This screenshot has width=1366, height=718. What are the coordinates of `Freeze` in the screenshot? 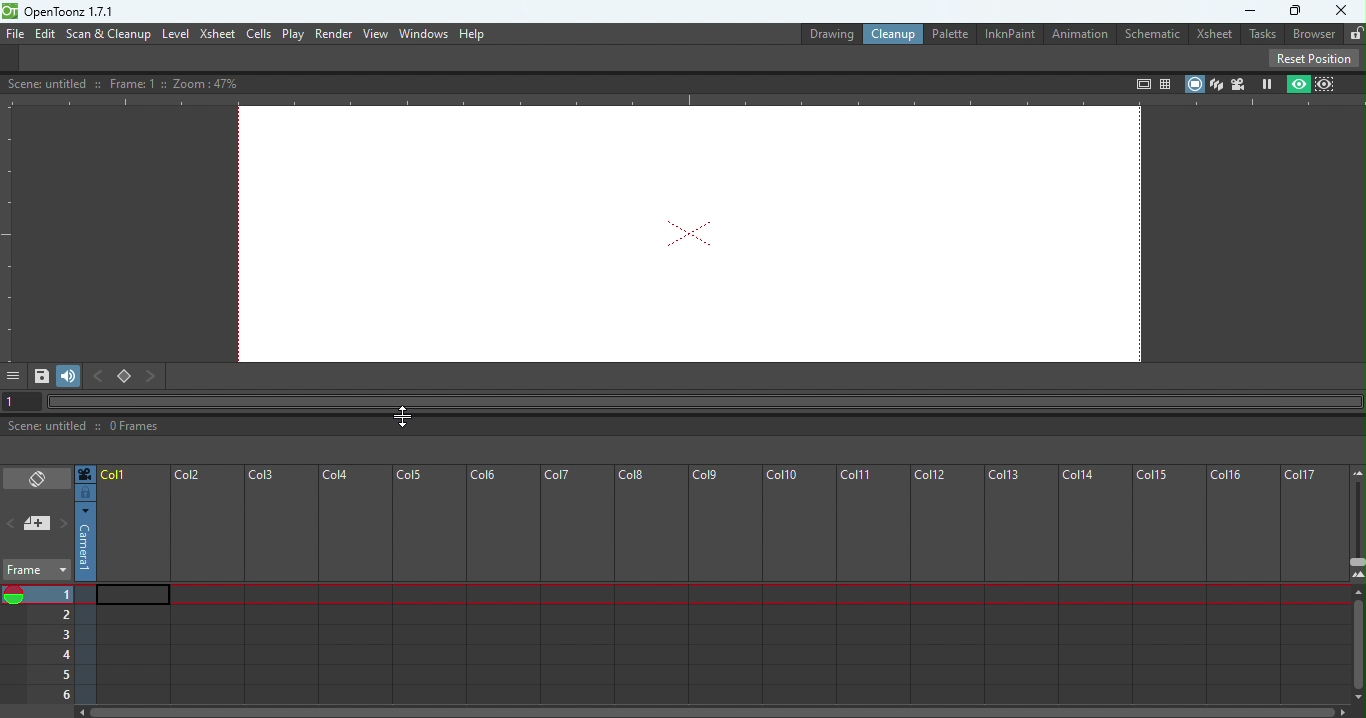 It's located at (1267, 83).